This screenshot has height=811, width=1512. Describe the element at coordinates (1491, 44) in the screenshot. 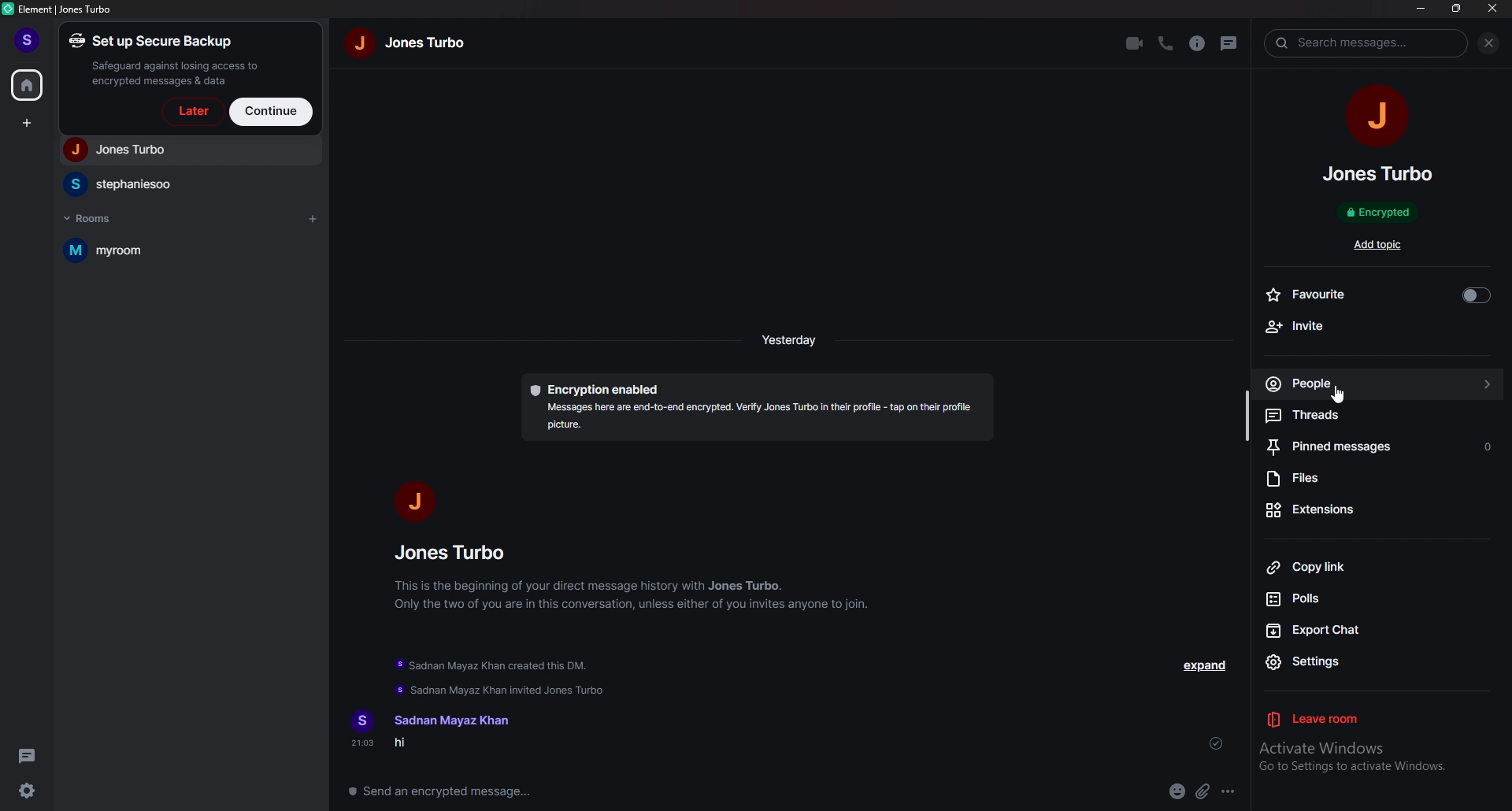

I see `close info pane` at that location.